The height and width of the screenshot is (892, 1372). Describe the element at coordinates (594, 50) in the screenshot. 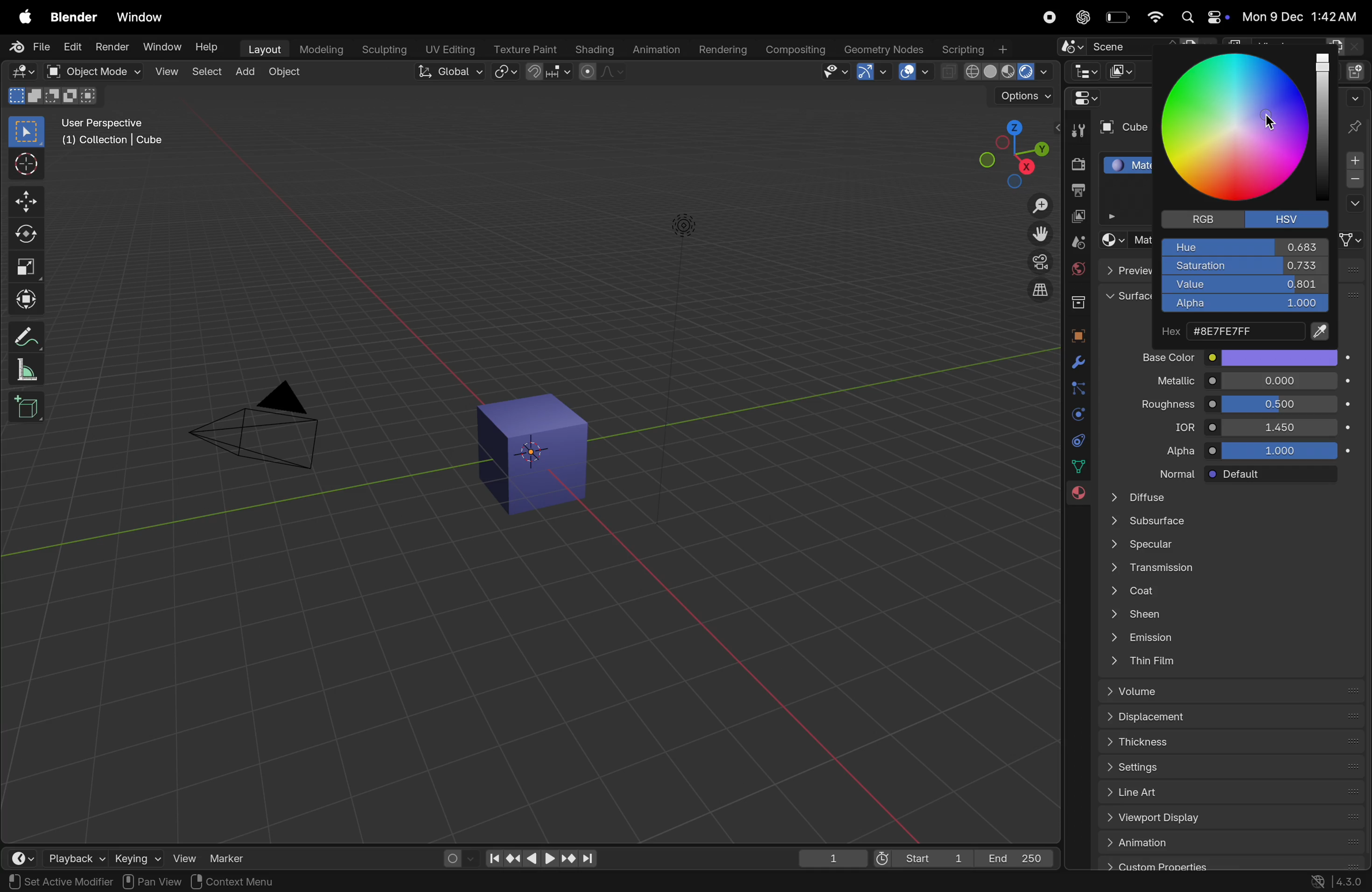

I see `shading` at that location.